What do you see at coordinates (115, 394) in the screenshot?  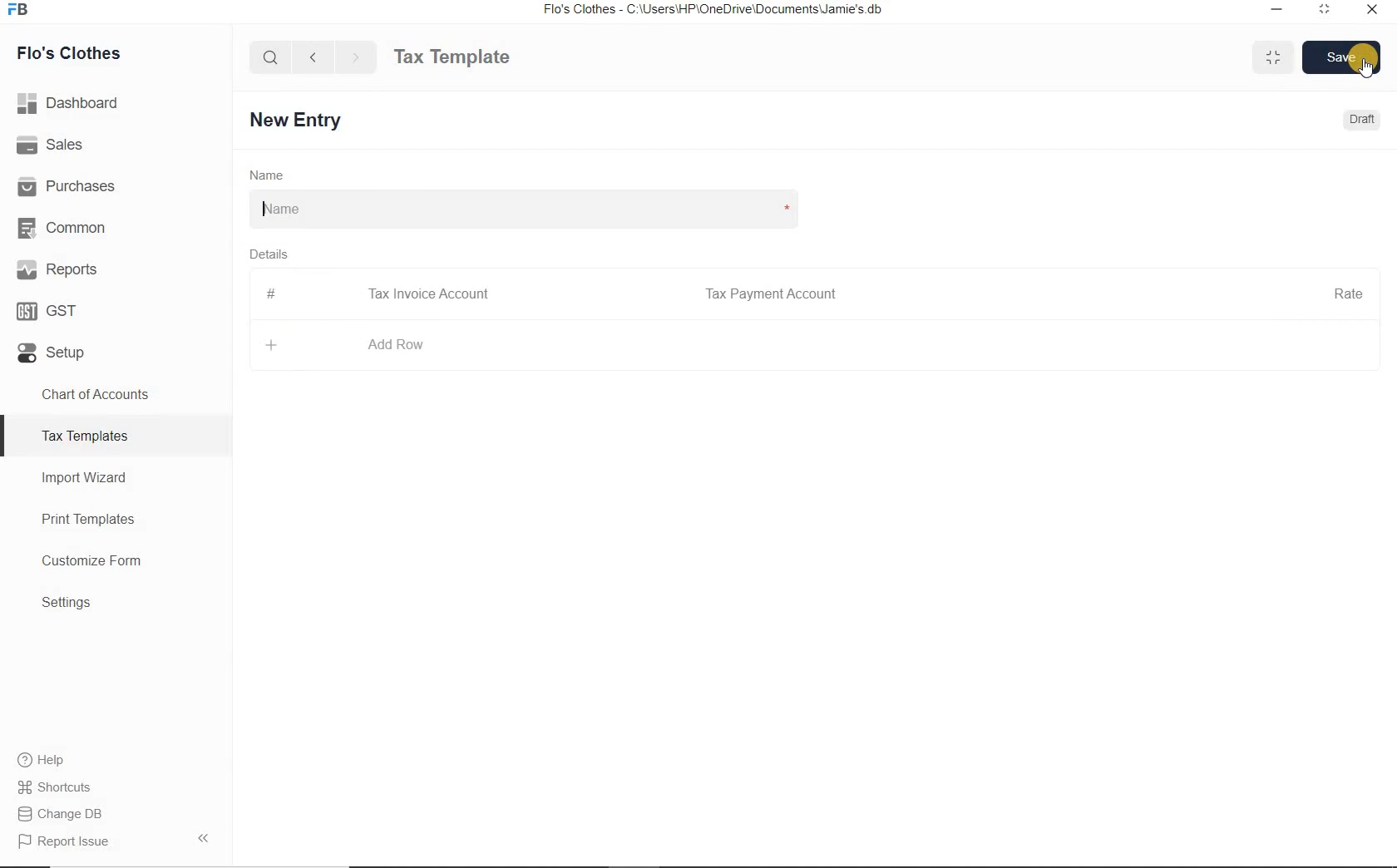 I see `Chart of Accounts` at bounding box center [115, 394].